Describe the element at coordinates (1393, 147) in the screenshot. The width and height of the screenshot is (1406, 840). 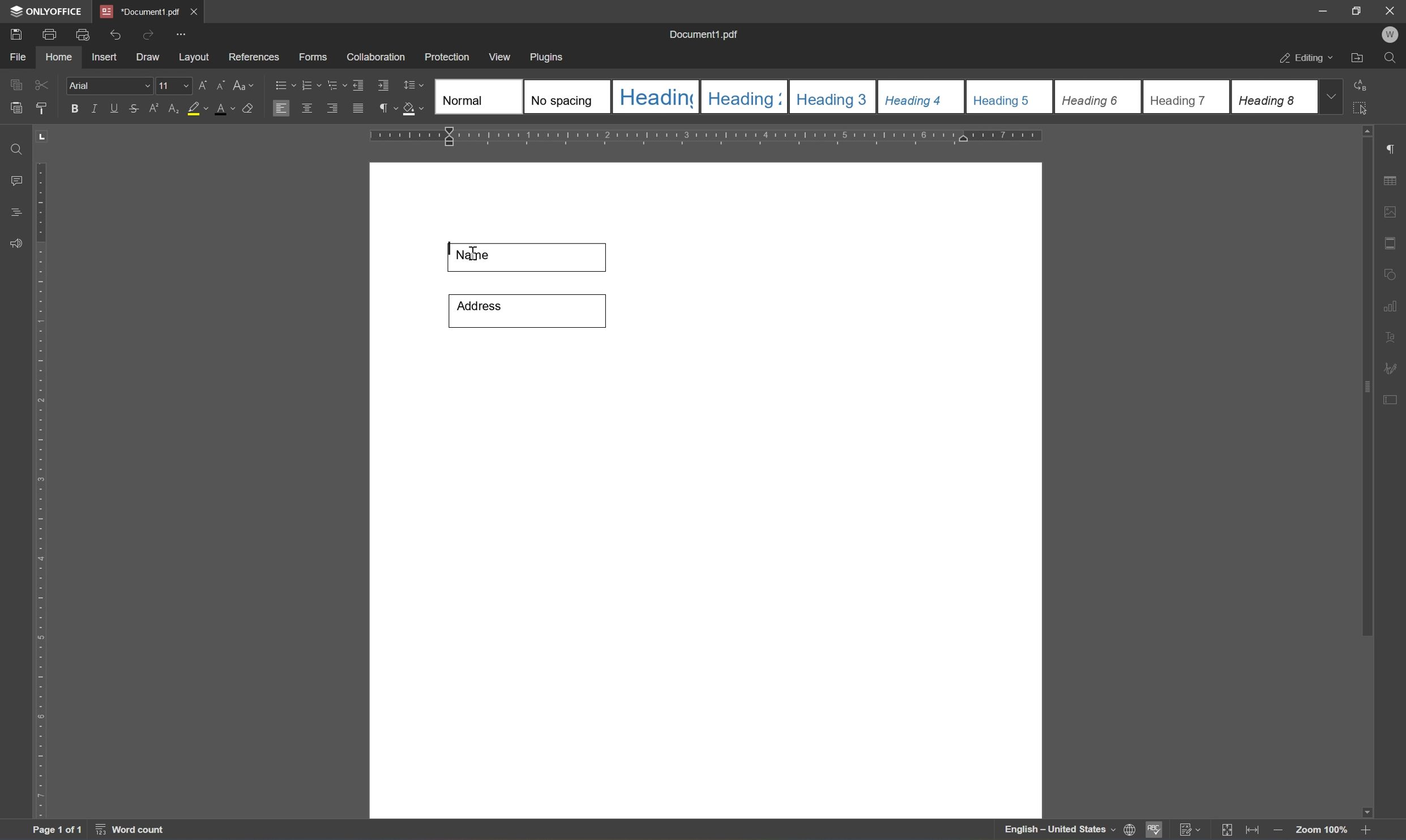
I see `paragraph settings` at that location.